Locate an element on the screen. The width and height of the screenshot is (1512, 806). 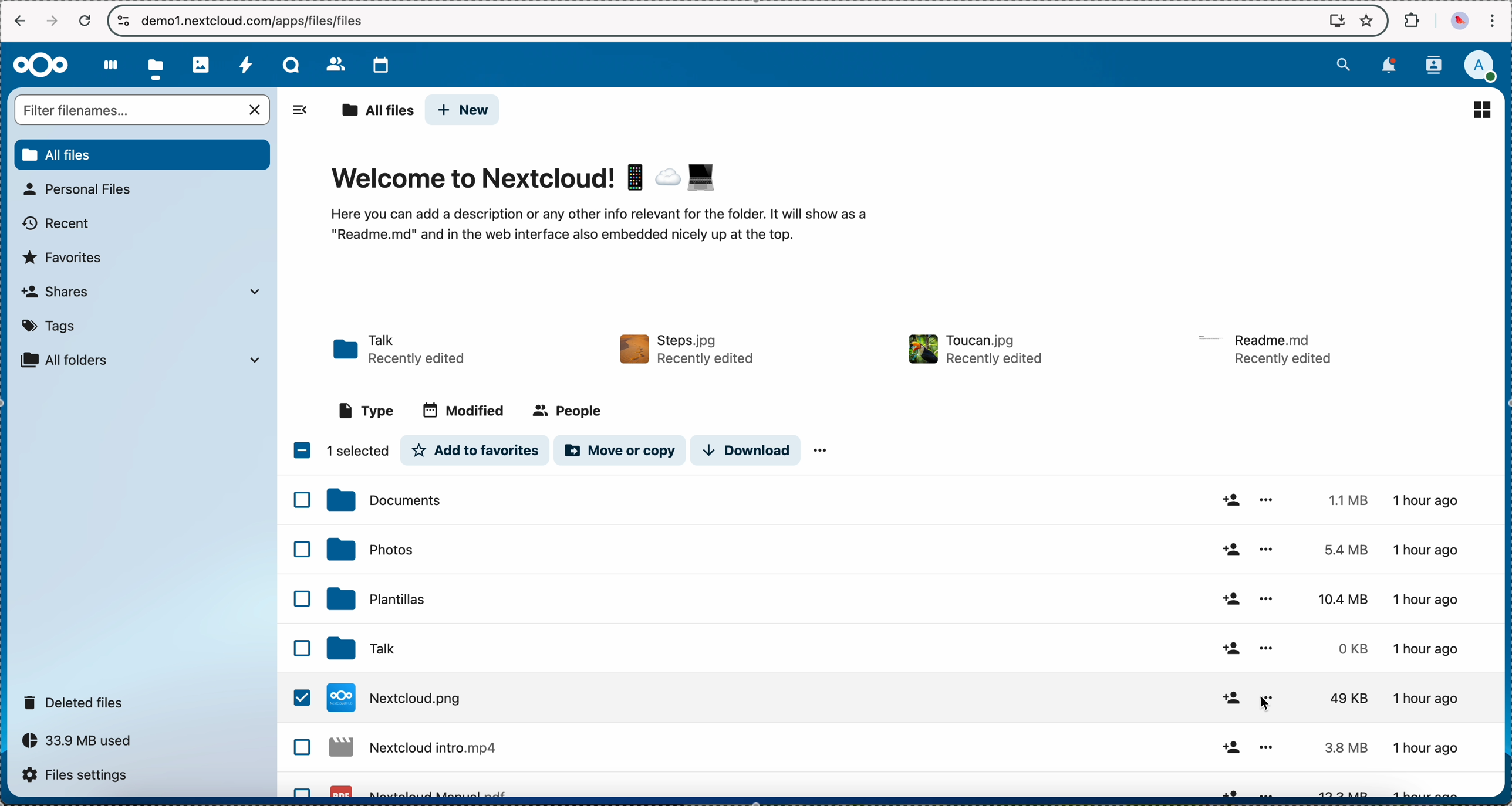
personal files is located at coordinates (84, 189).